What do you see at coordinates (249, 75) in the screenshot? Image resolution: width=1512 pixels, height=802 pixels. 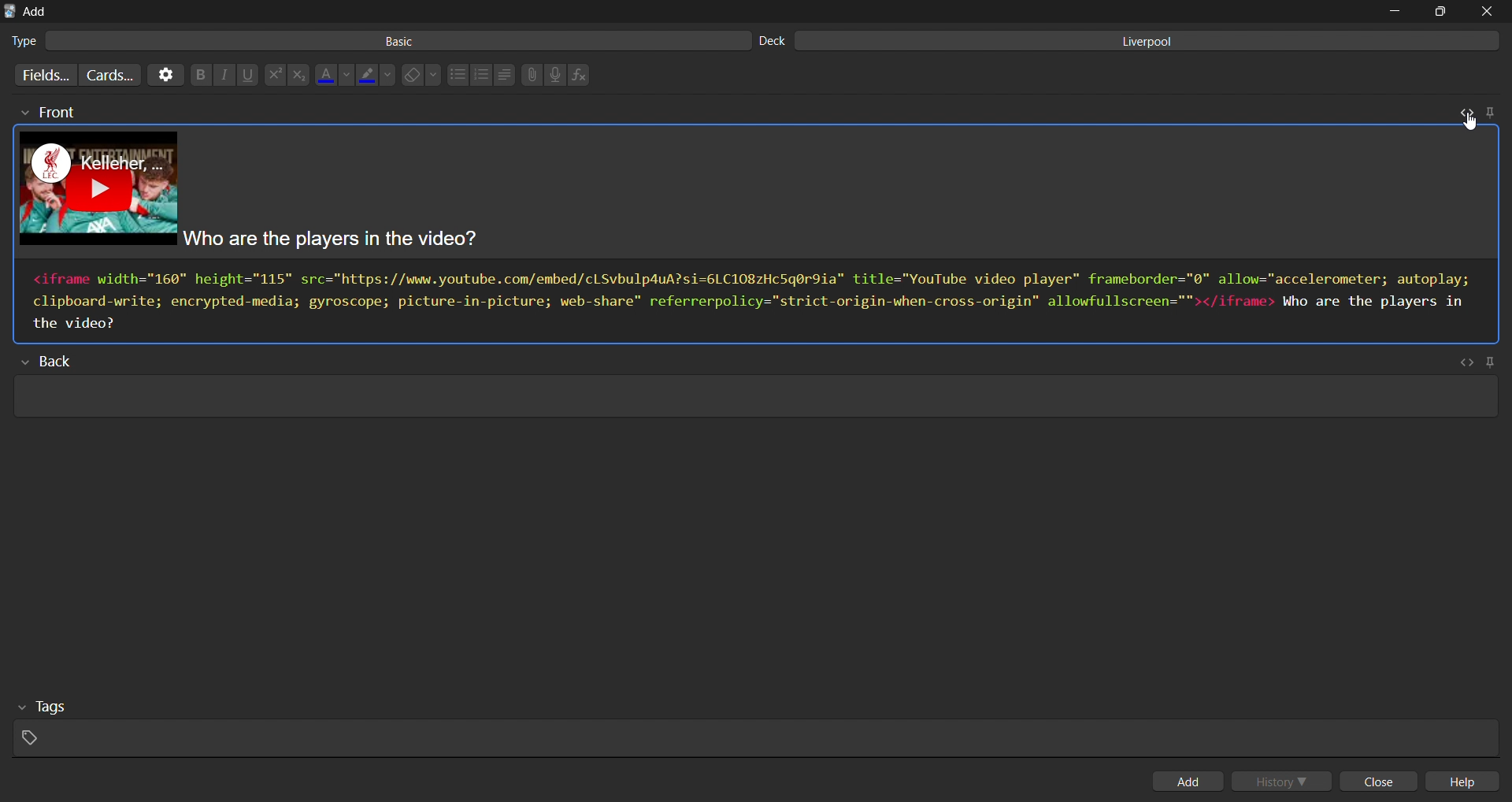 I see `underline` at bounding box center [249, 75].